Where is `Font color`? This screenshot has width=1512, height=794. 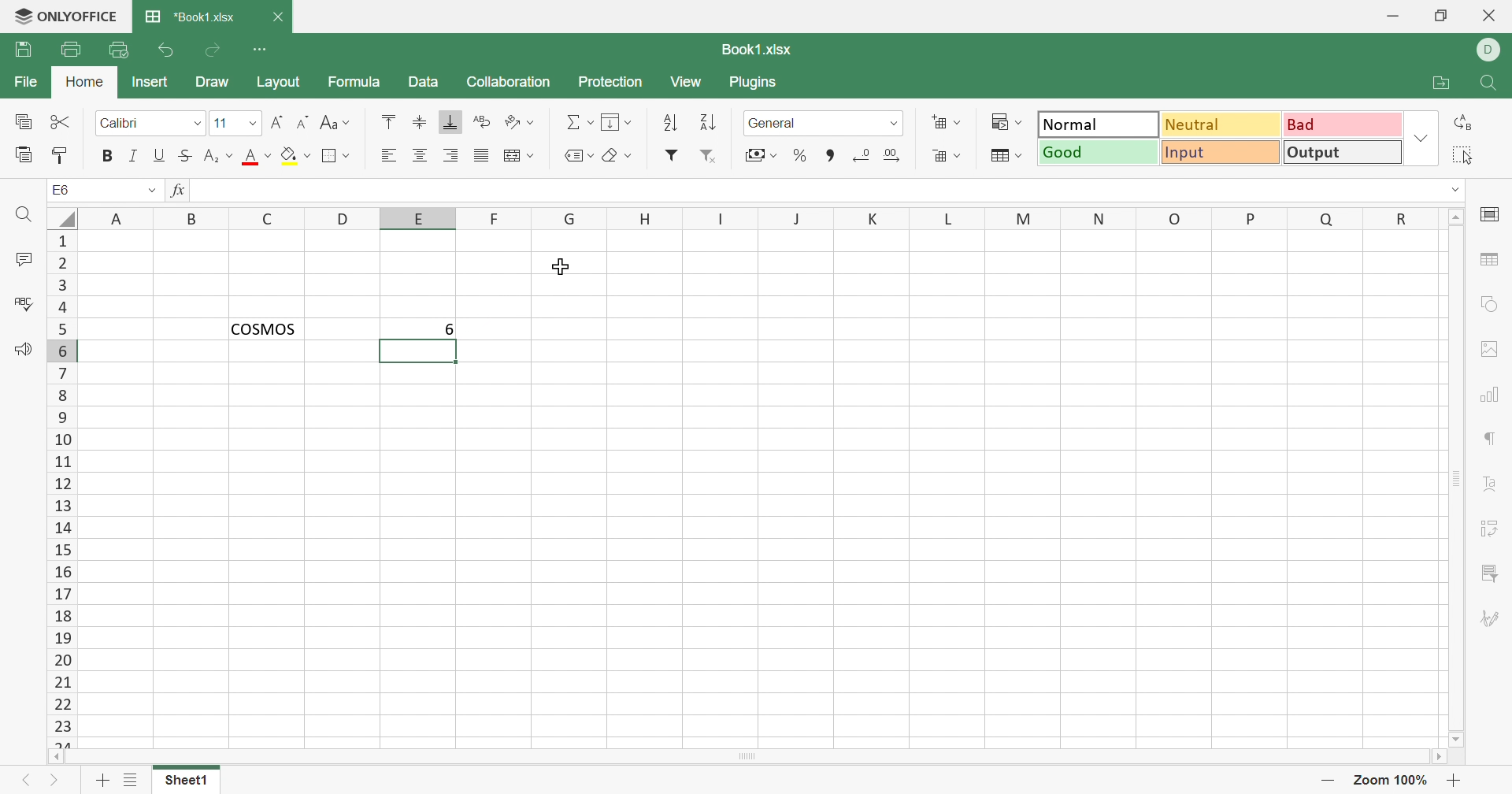 Font color is located at coordinates (258, 156).